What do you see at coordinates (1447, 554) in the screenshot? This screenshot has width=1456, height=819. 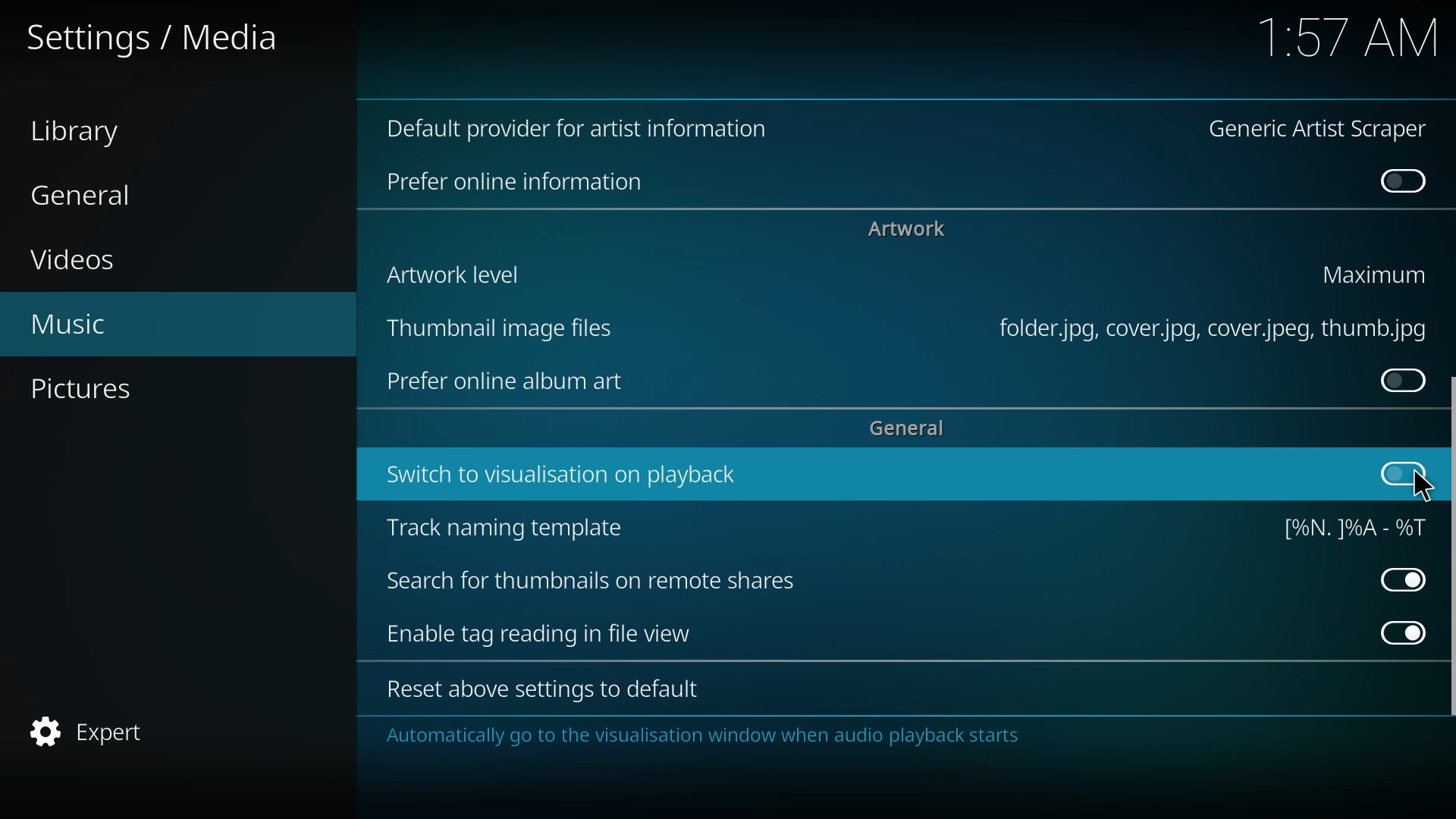 I see `scroll bar` at bounding box center [1447, 554].